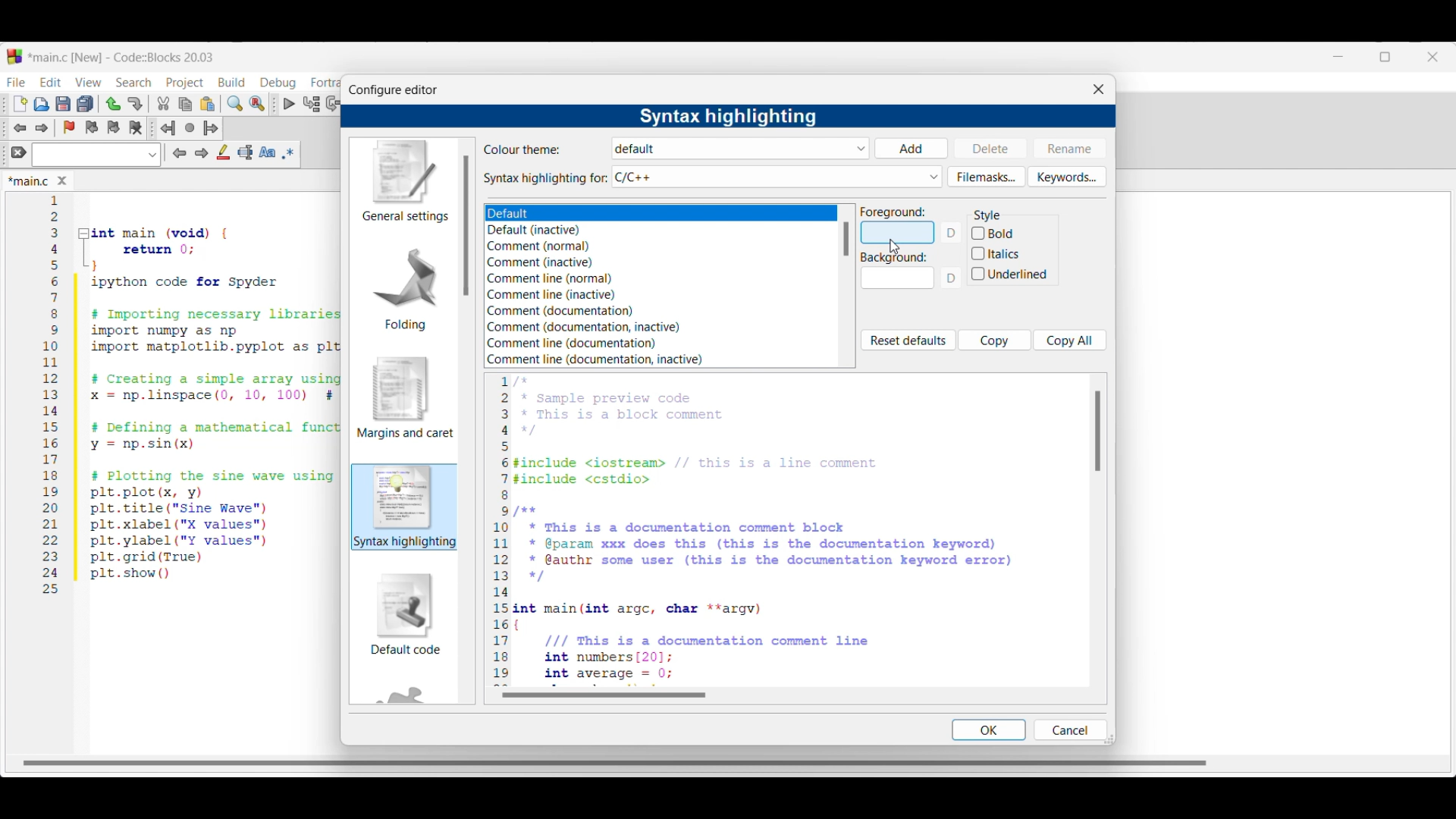 The image size is (1456, 819). What do you see at coordinates (897, 233) in the screenshot?
I see `Foreground color options` at bounding box center [897, 233].